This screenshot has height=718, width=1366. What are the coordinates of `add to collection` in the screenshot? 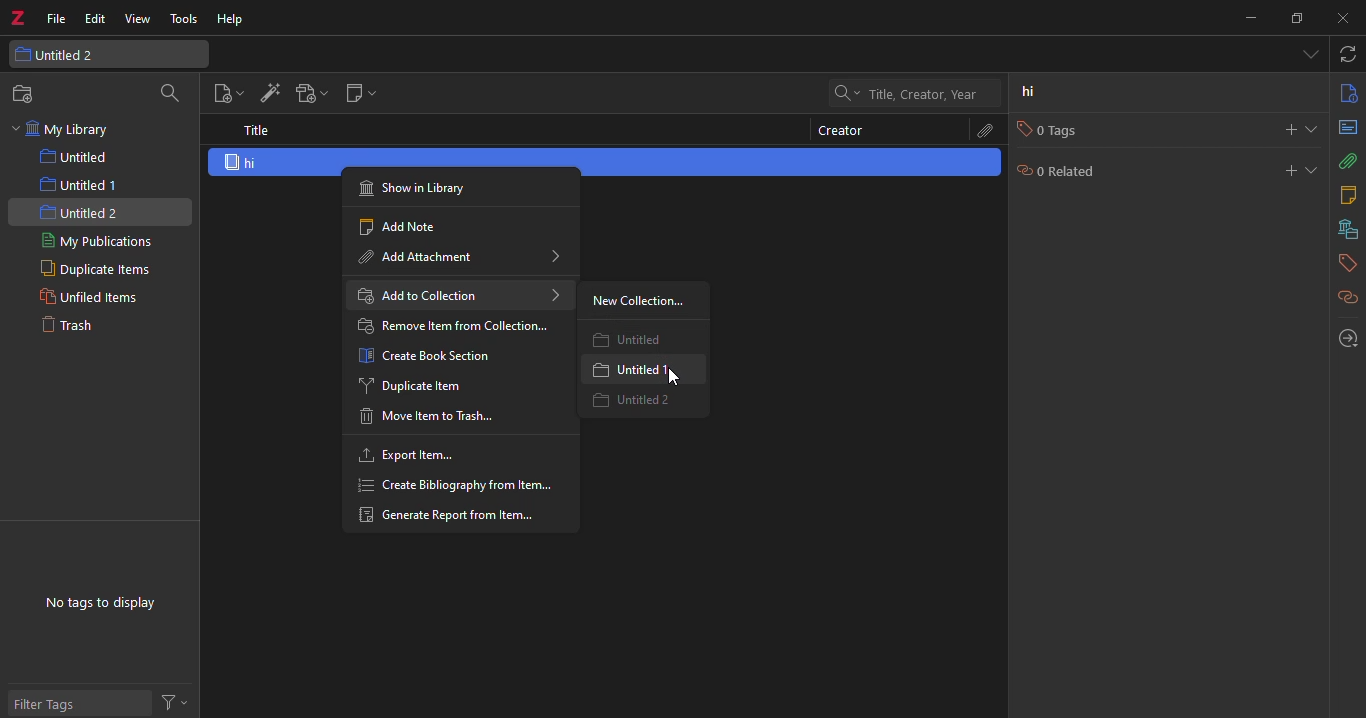 It's located at (455, 295).